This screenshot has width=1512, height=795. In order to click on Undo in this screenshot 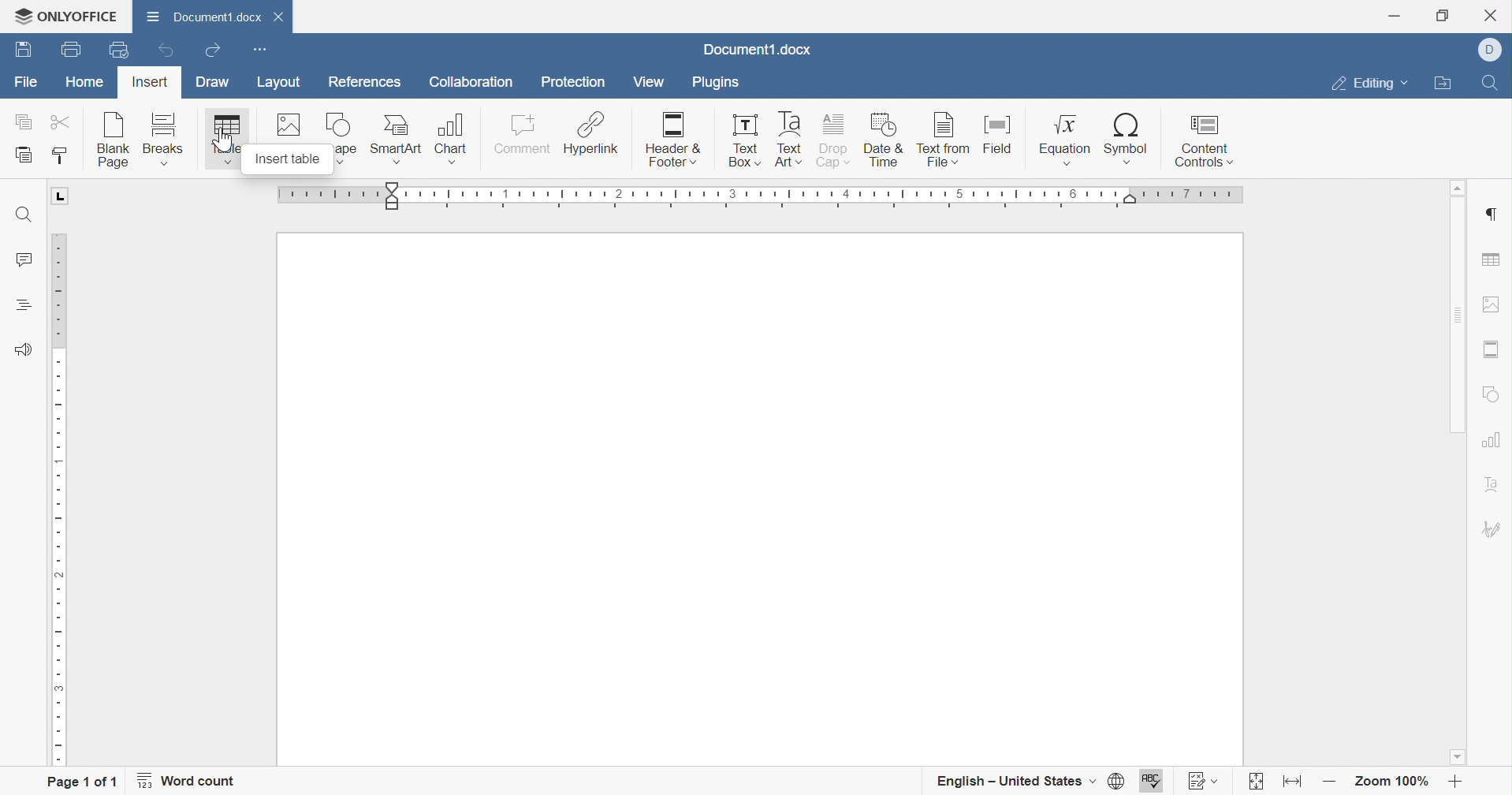, I will do `click(169, 52)`.